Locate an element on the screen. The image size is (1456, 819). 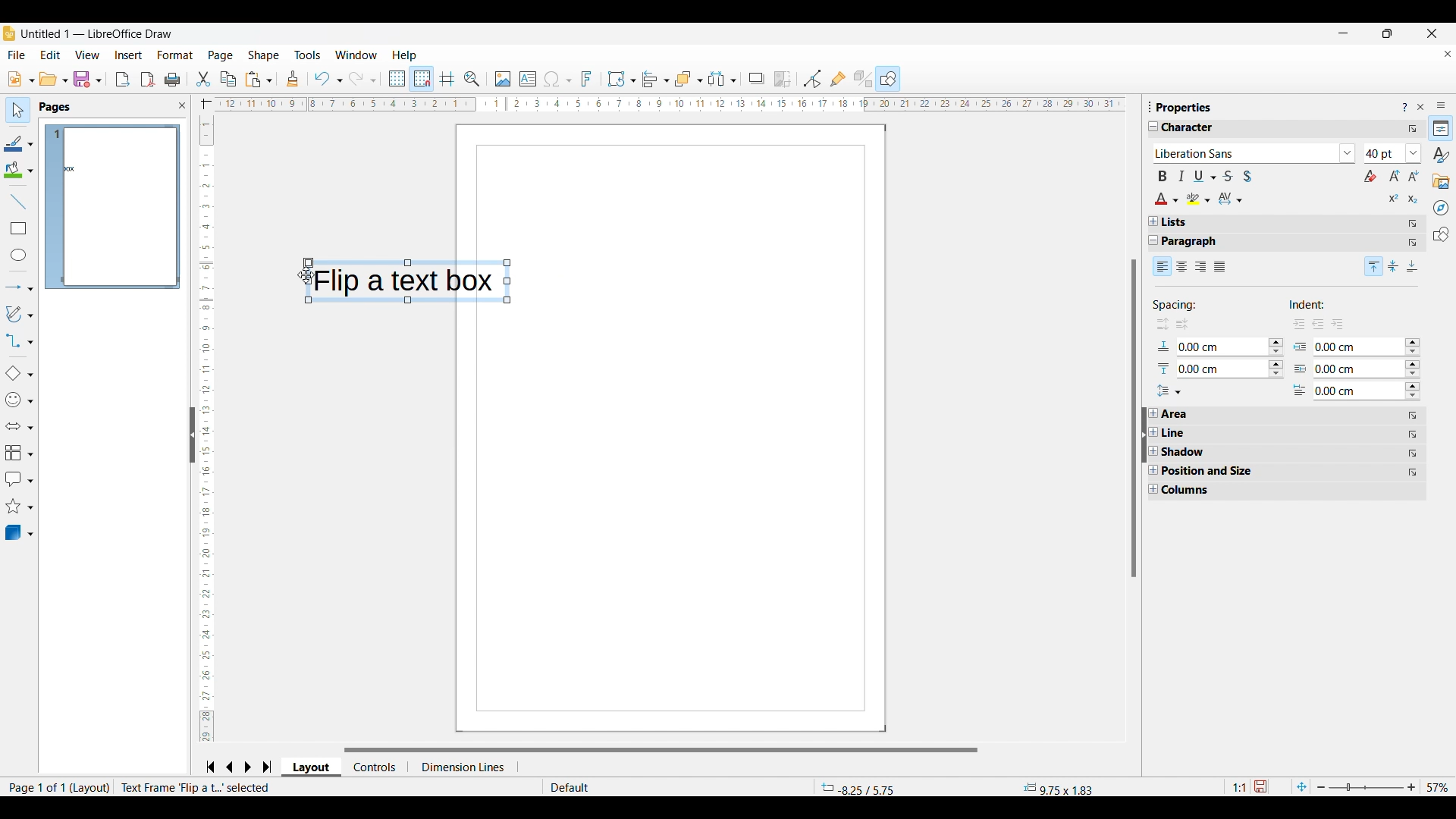
Type in font options is located at coordinates (1245, 154).